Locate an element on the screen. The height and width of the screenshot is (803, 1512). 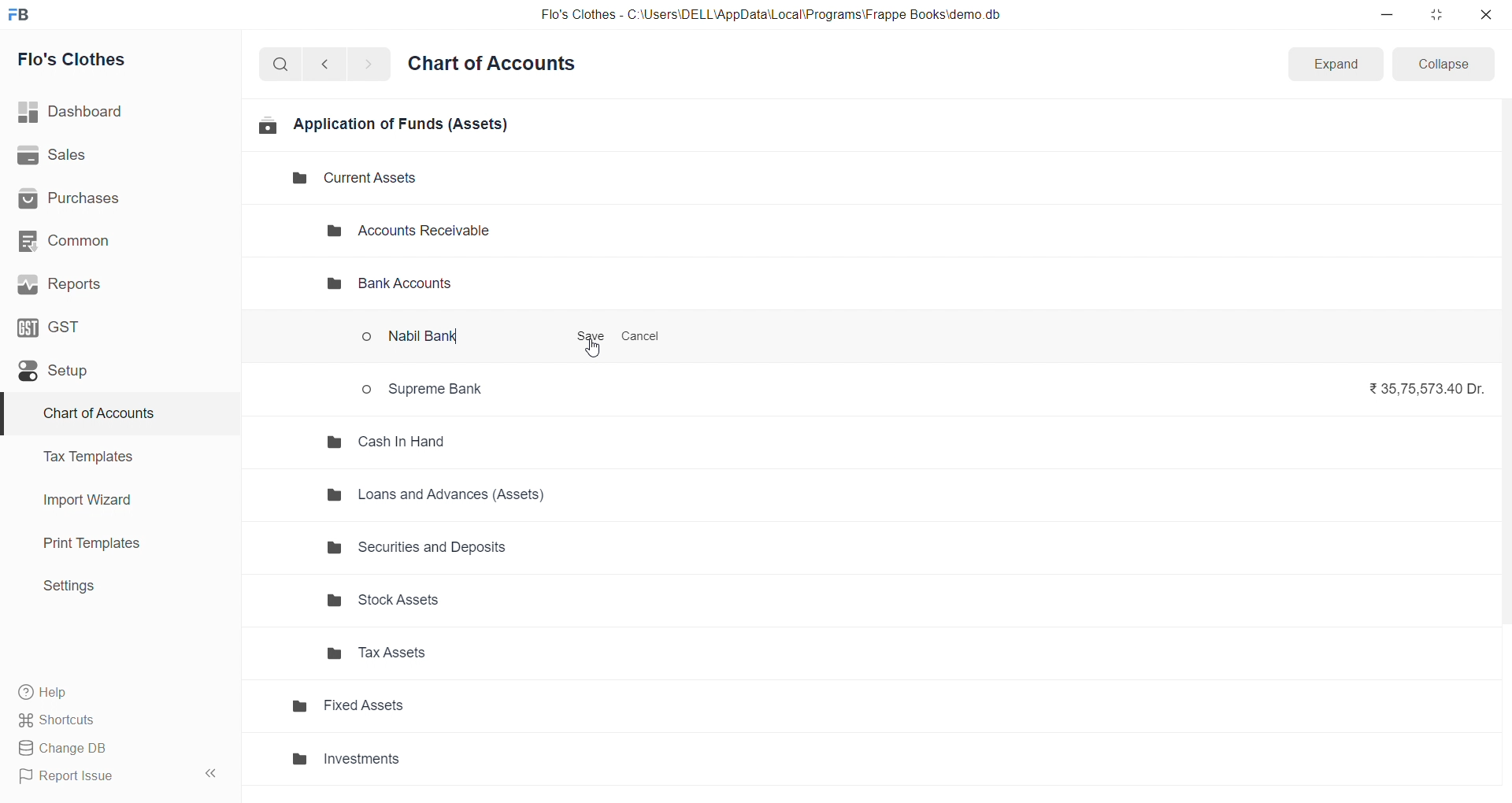
Shortcuts is located at coordinates (115, 719).